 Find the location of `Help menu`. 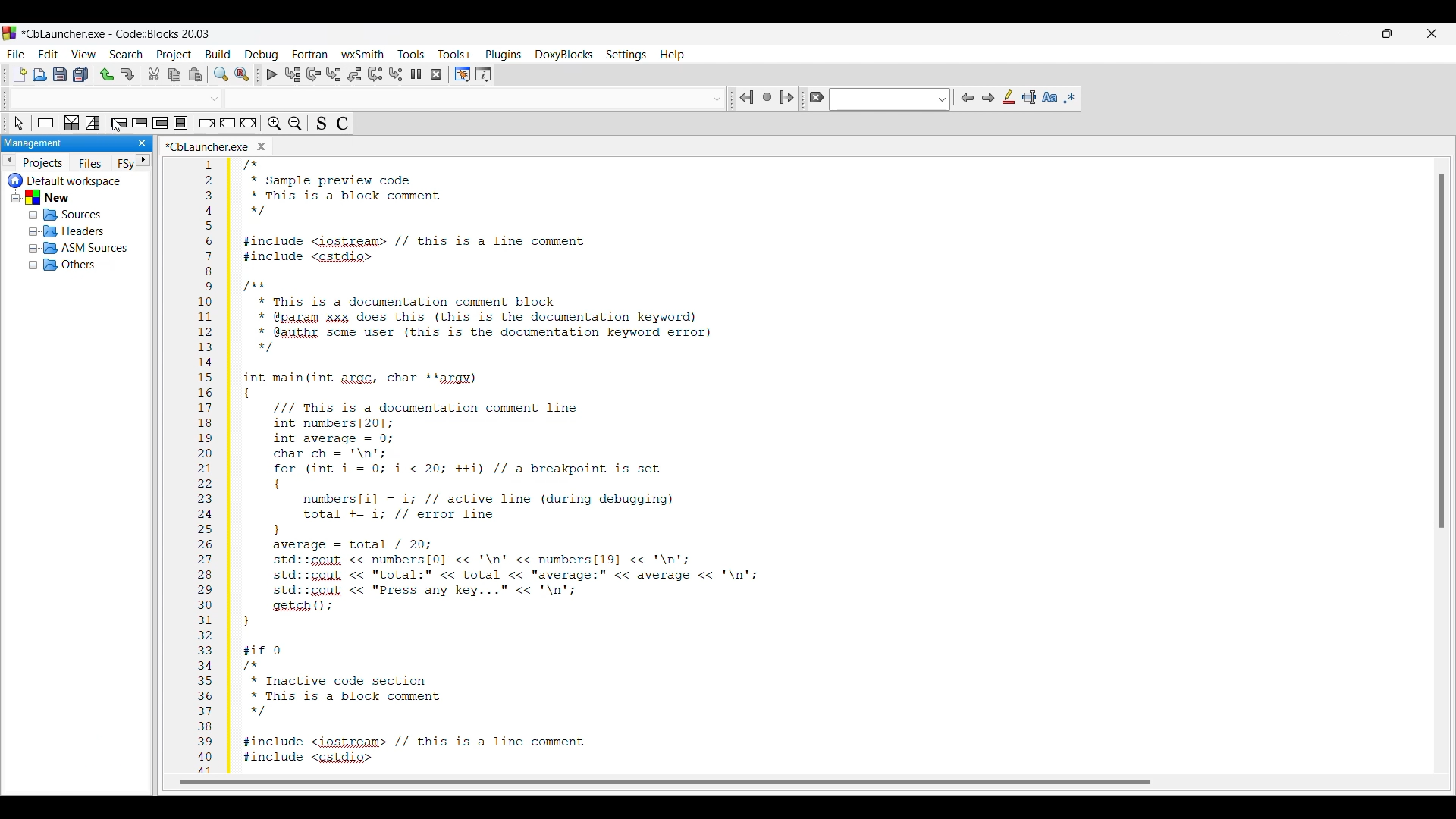

Help menu is located at coordinates (672, 55).